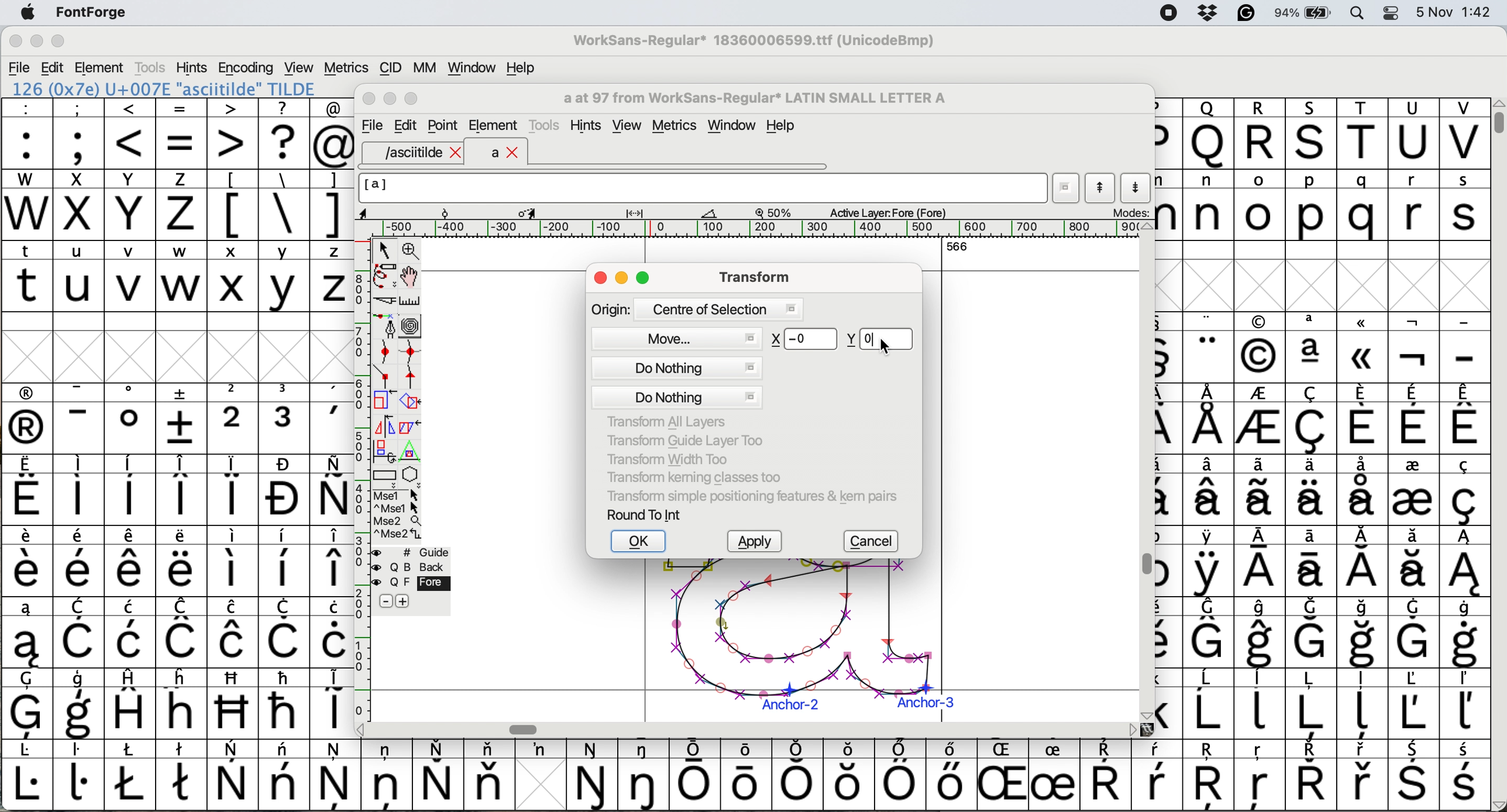 The width and height of the screenshot is (1507, 812). Describe the element at coordinates (588, 126) in the screenshot. I see `hints` at that location.